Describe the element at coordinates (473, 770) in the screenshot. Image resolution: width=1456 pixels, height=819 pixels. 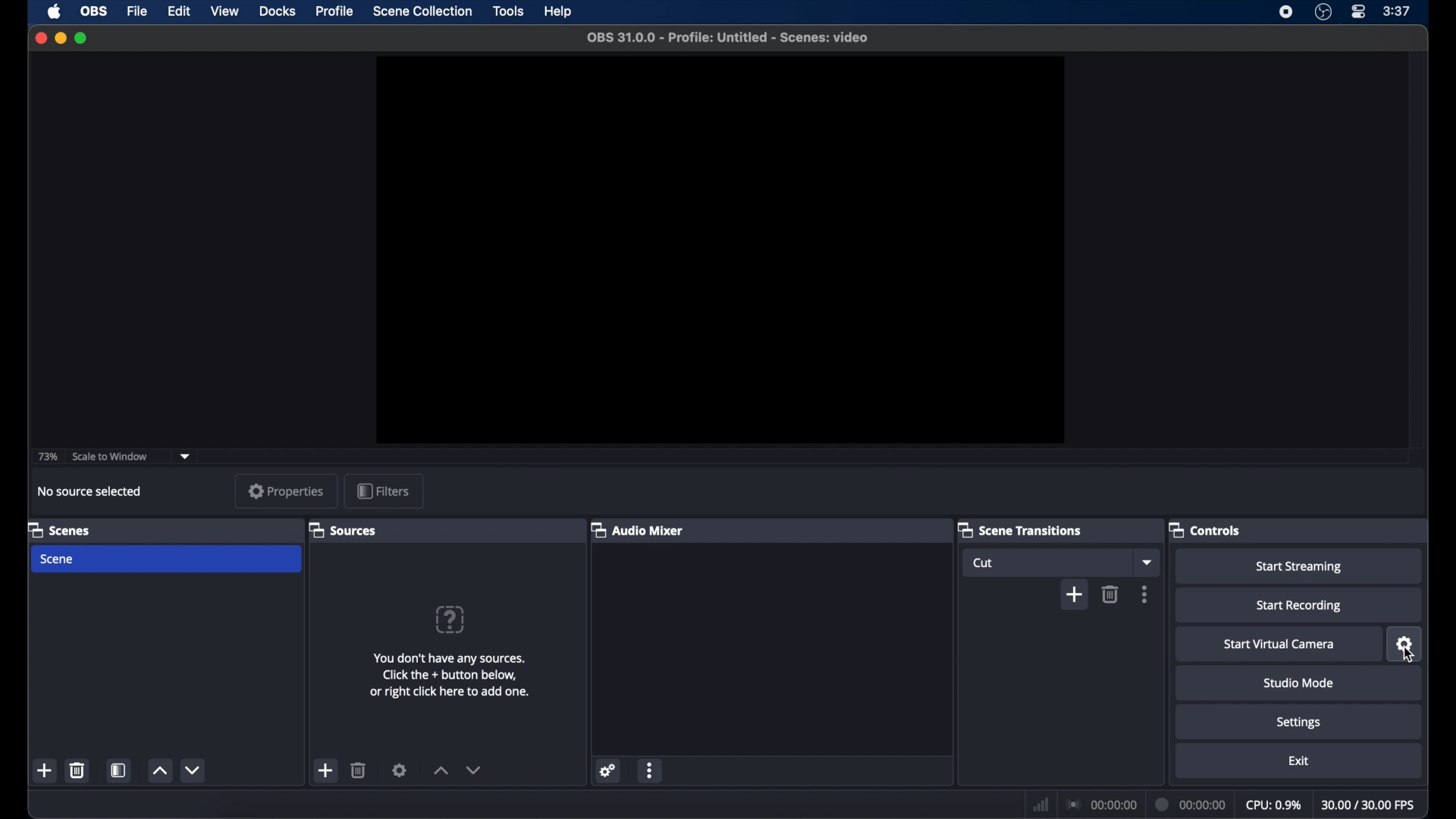
I see `decrement` at that location.